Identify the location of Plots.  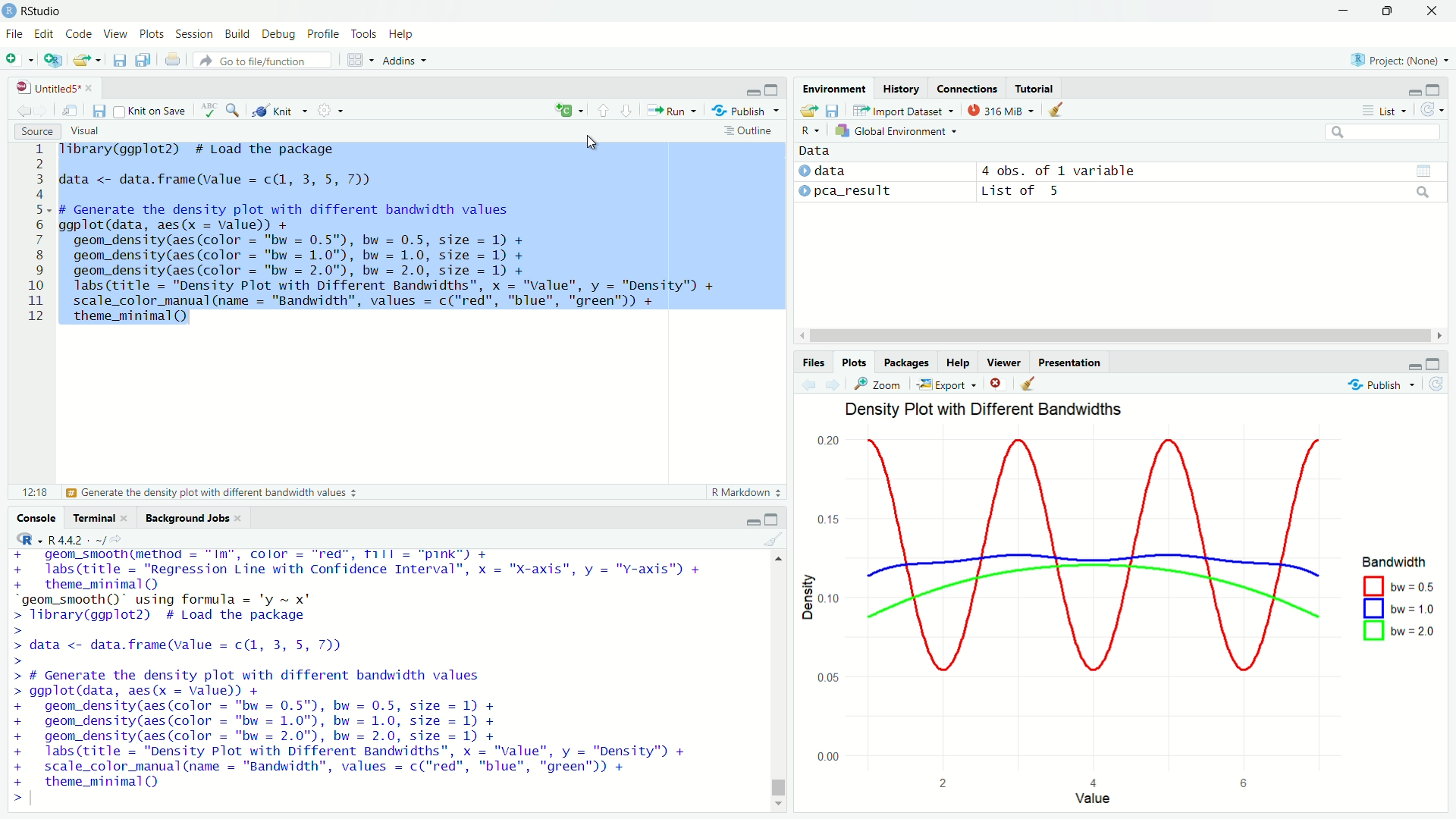
(853, 362).